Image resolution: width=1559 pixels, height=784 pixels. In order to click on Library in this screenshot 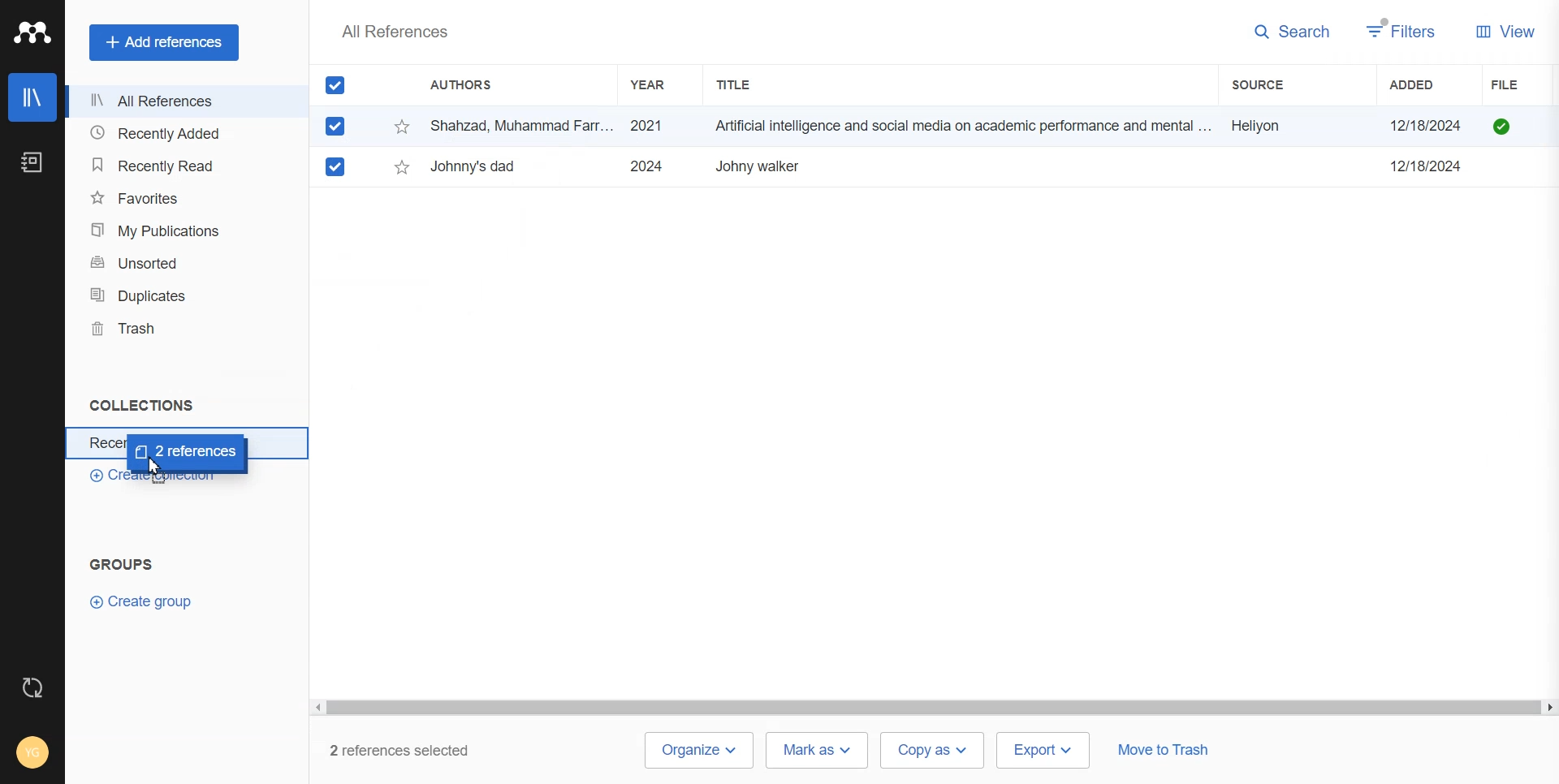, I will do `click(32, 97)`.